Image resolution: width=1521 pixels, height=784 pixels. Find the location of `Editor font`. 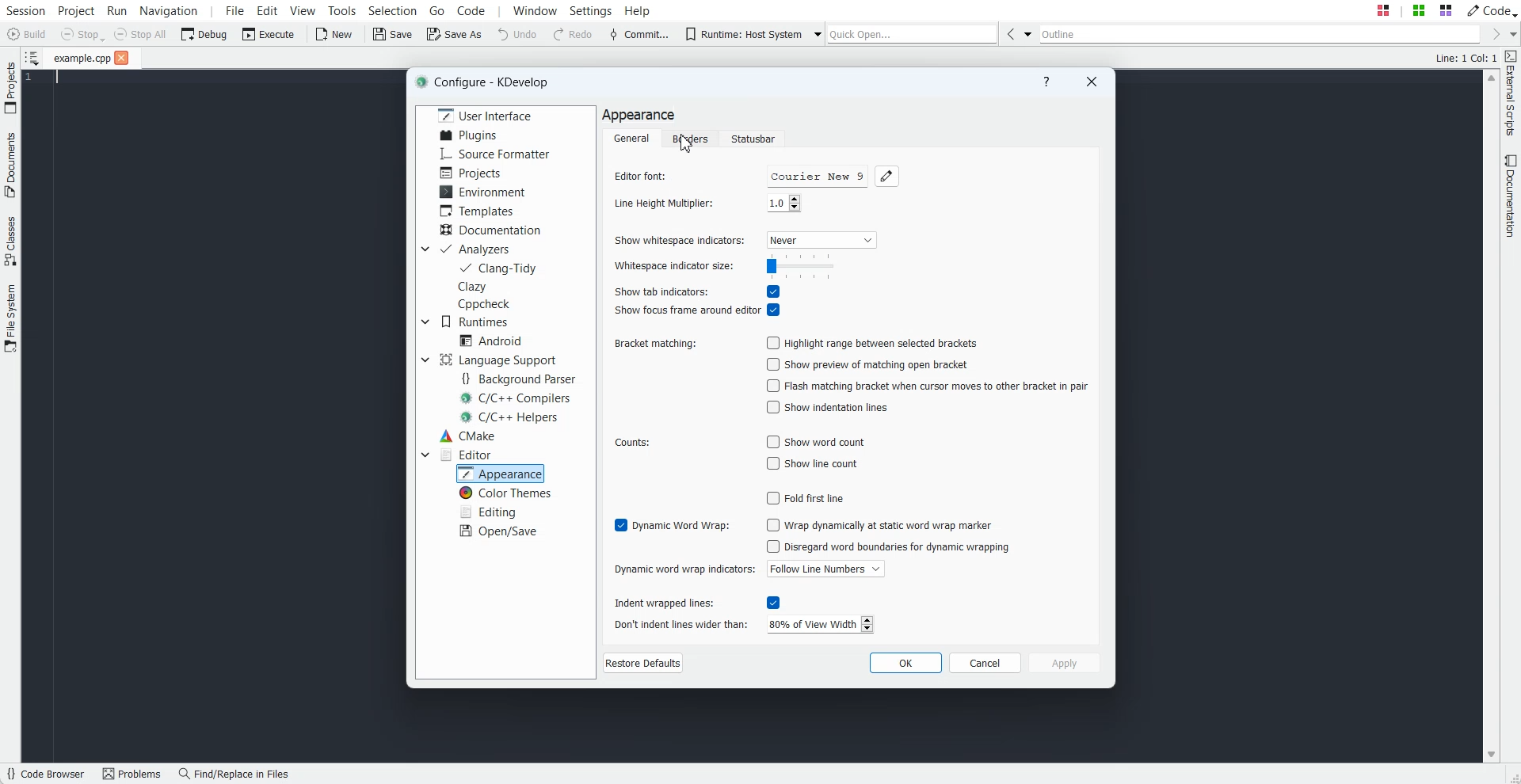

Editor font is located at coordinates (669, 176).